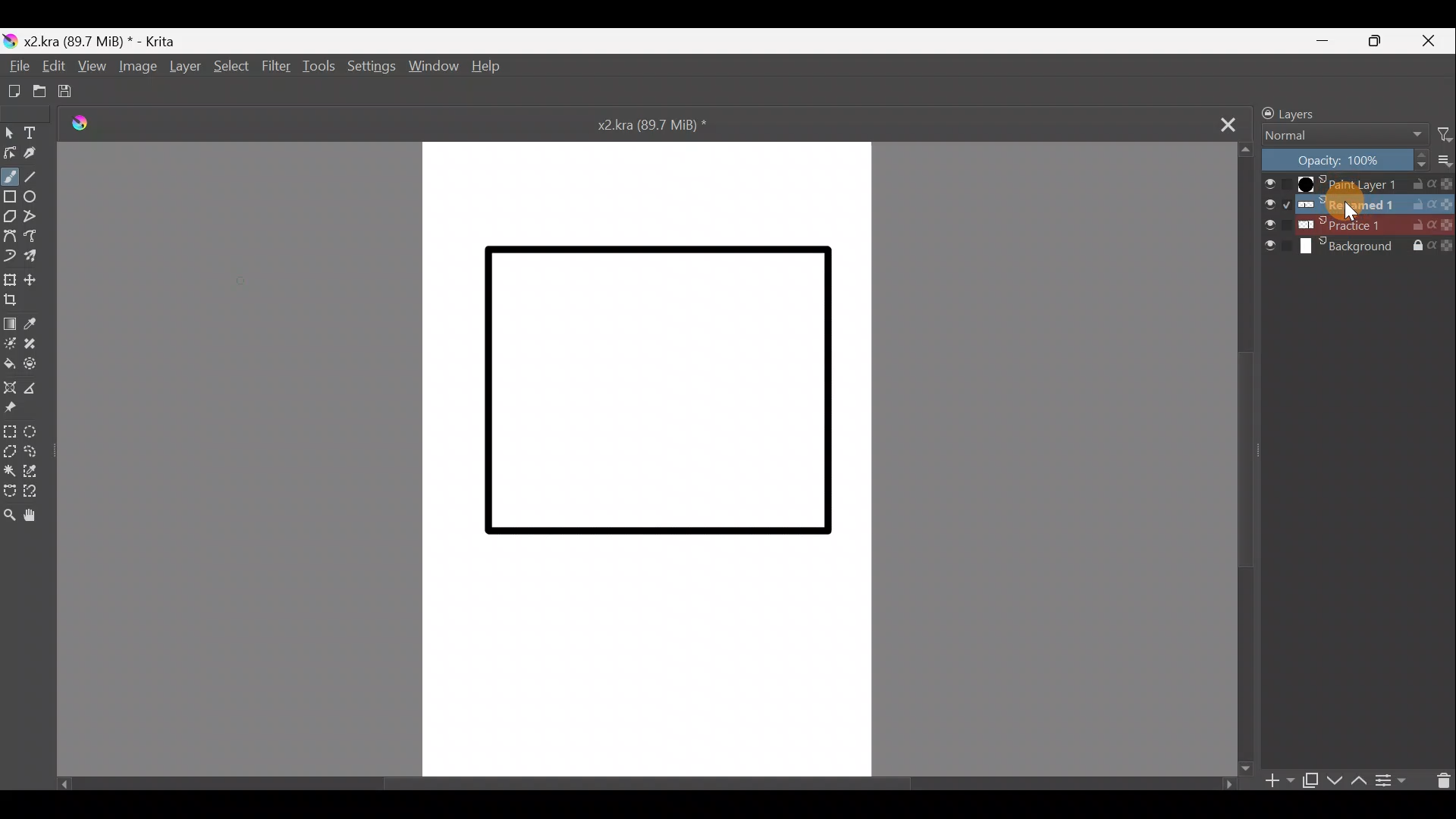 The image size is (1456, 819). Describe the element at coordinates (35, 516) in the screenshot. I see `Pan tool` at that location.